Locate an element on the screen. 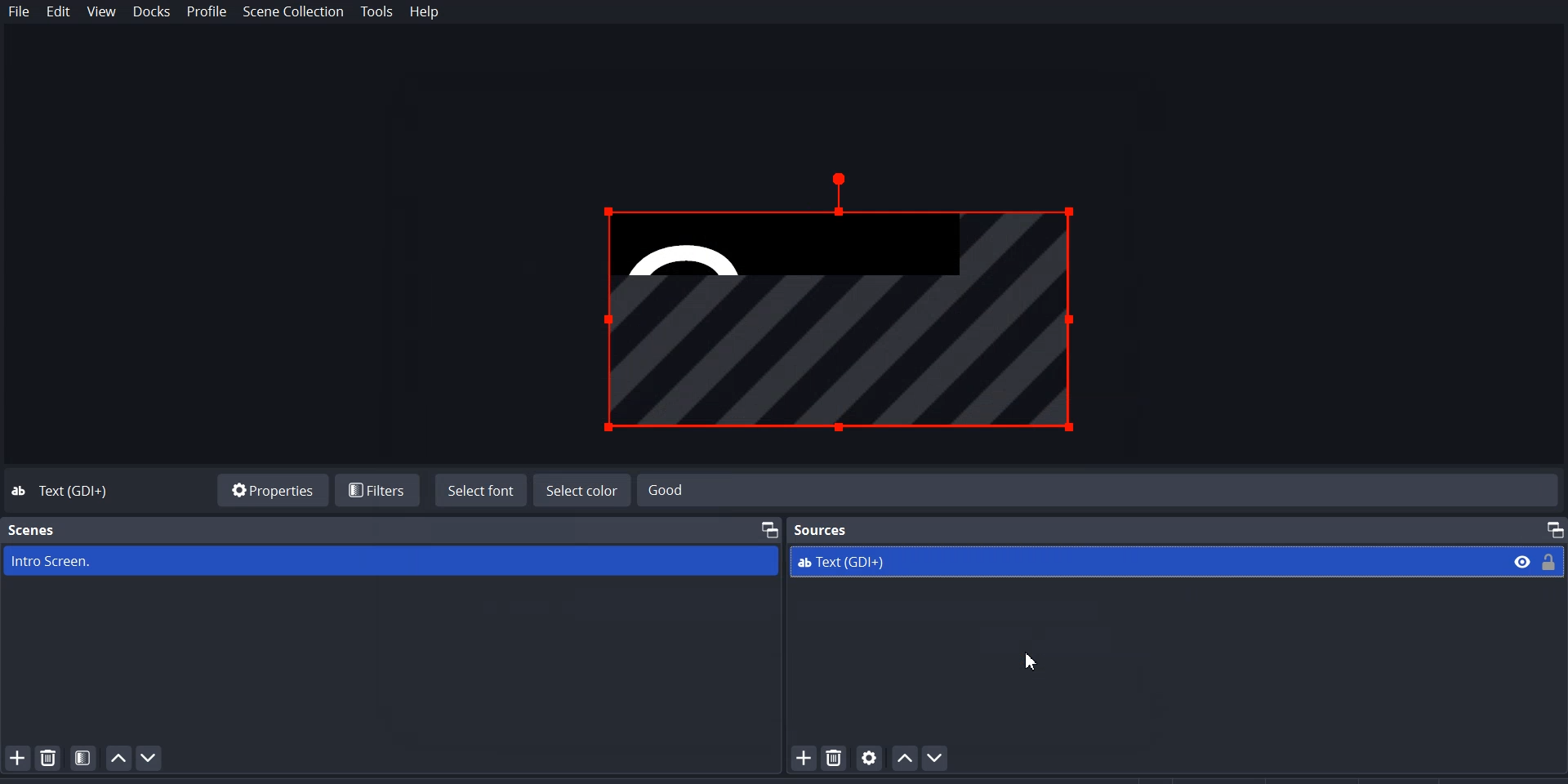 Image resolution: width=1568 pixels, height=784 pixels. Filters is located at coordinates (375, 490).